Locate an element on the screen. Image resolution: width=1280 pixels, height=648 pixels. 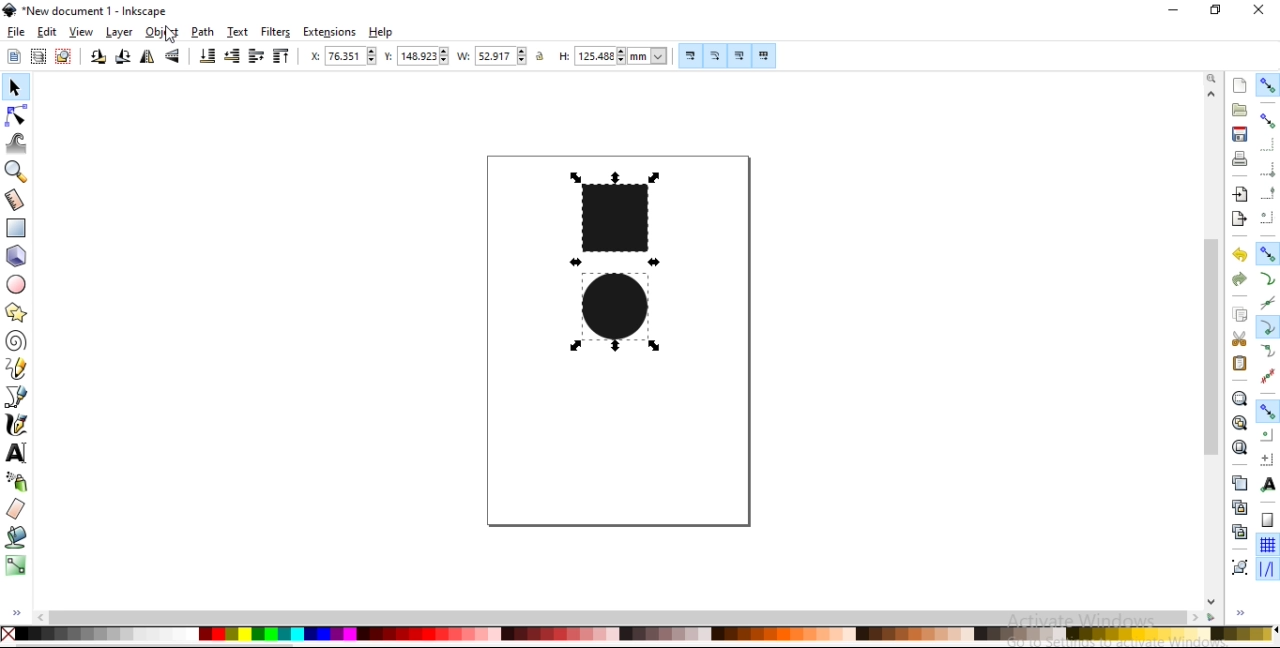
draw calligraphic or brush strokes is located at coordinates (18, 423).